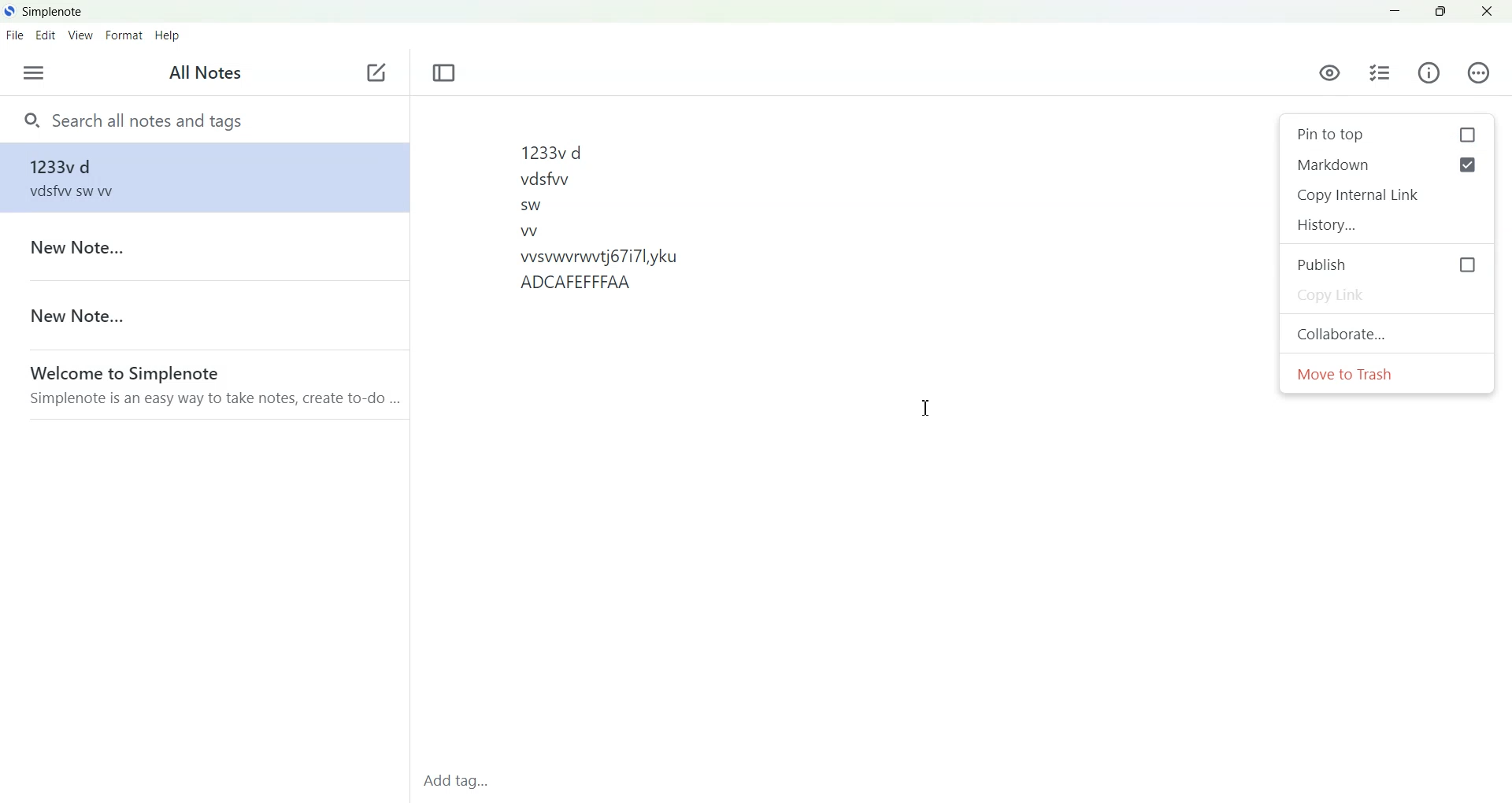 The width and height of the screenshot is (1512, 803). I want to click on File, so click(15, 35).